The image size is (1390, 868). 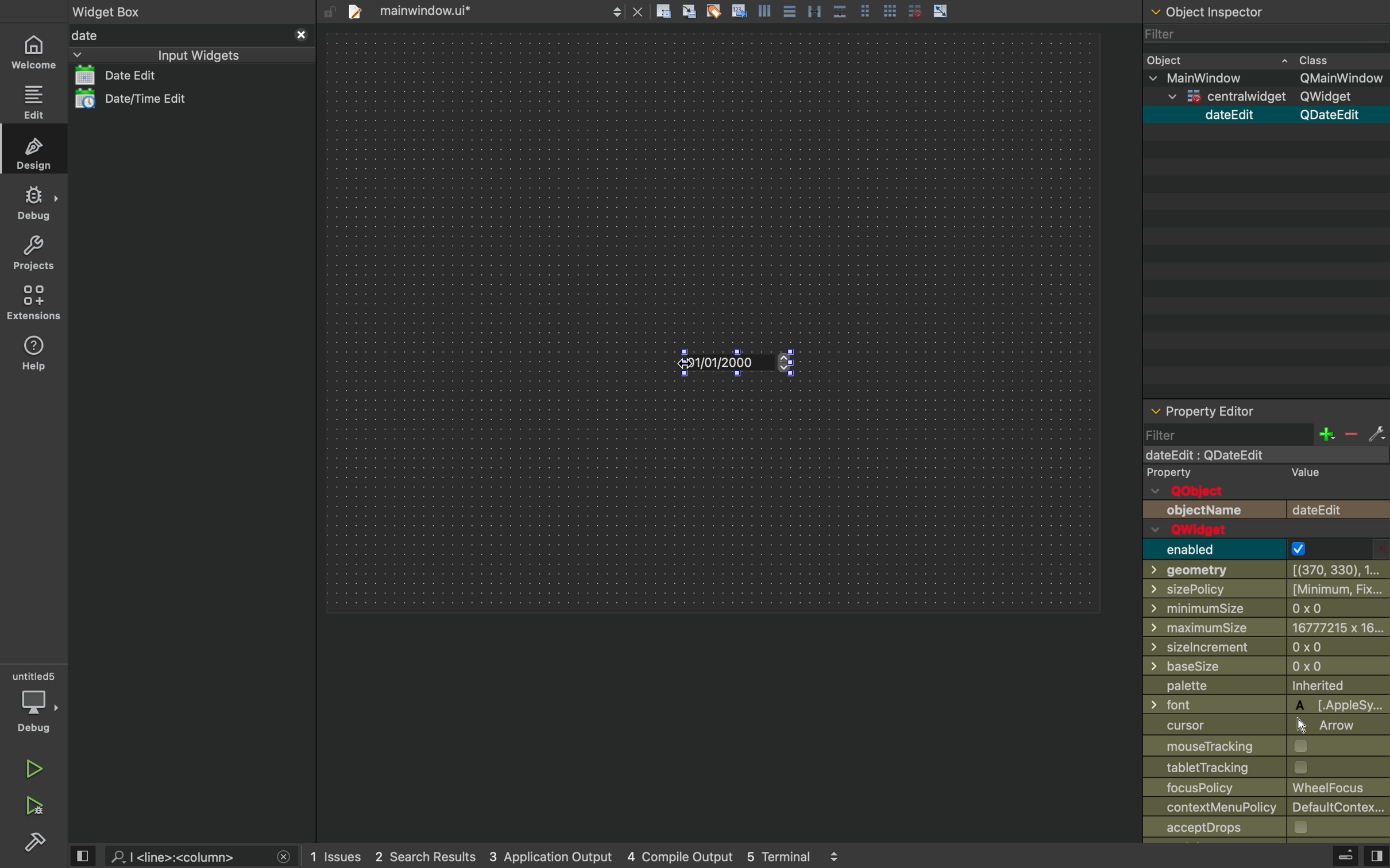 I want to click on plus, so click(x=1326, y=434).